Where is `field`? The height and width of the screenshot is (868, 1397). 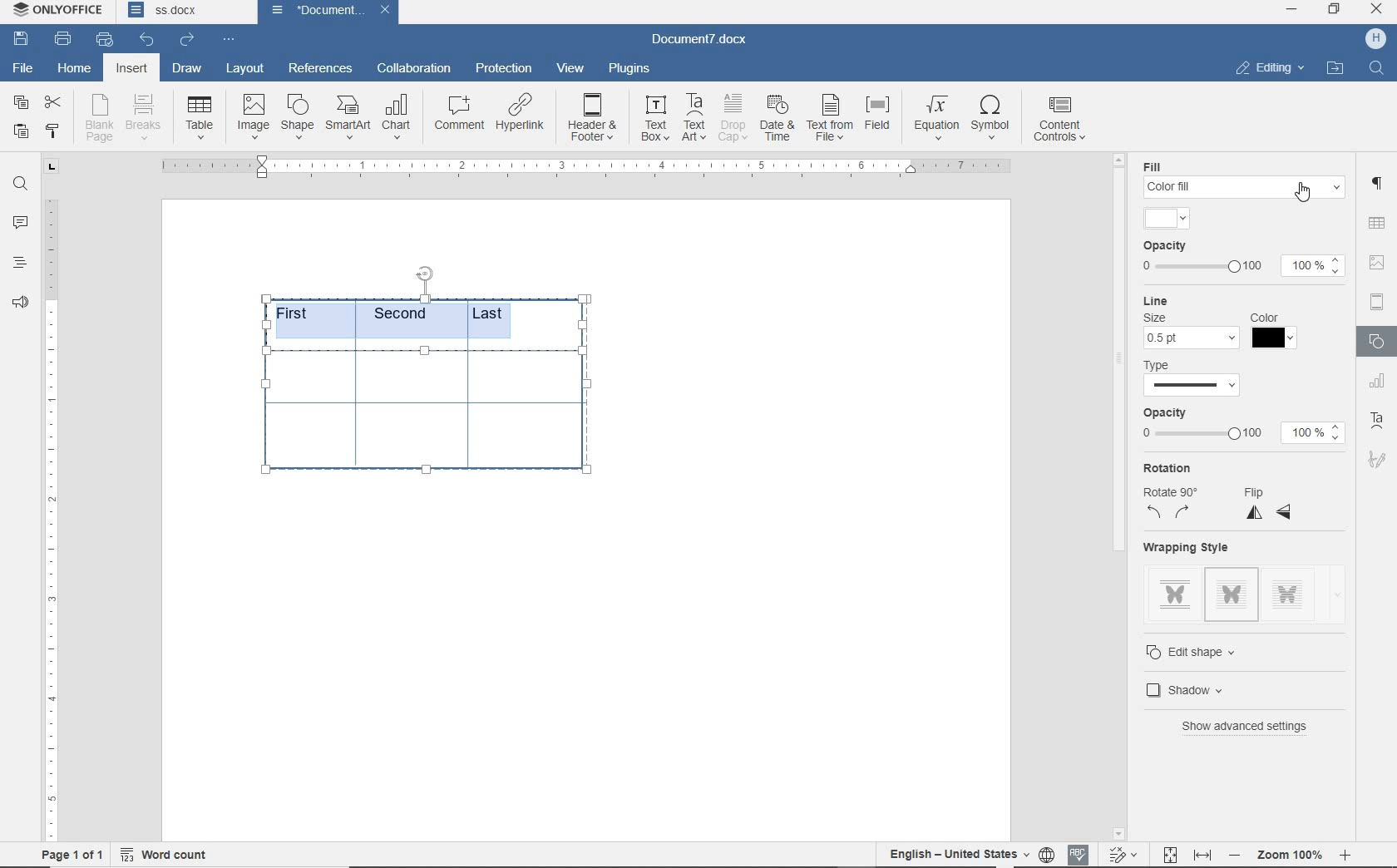
field is located at coordinates (880, 118).